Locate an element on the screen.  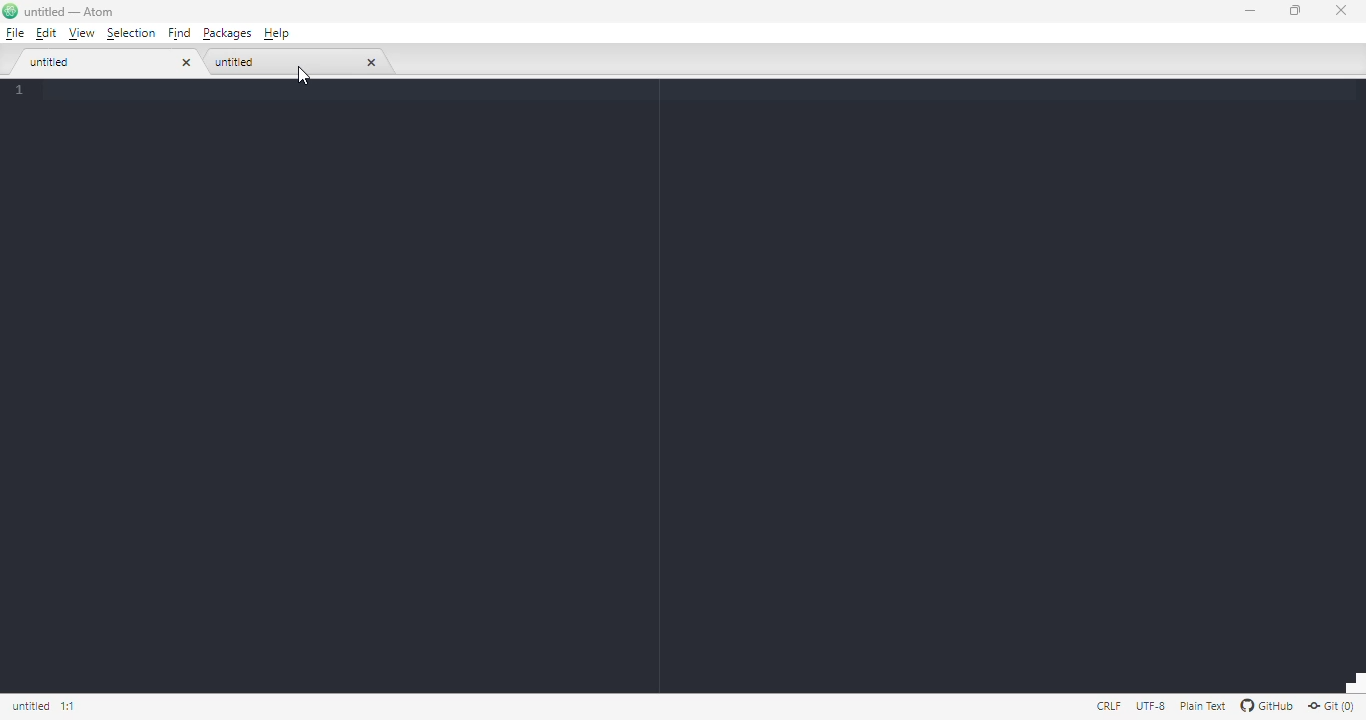
GitHub is located at coordinates (1267, 705).